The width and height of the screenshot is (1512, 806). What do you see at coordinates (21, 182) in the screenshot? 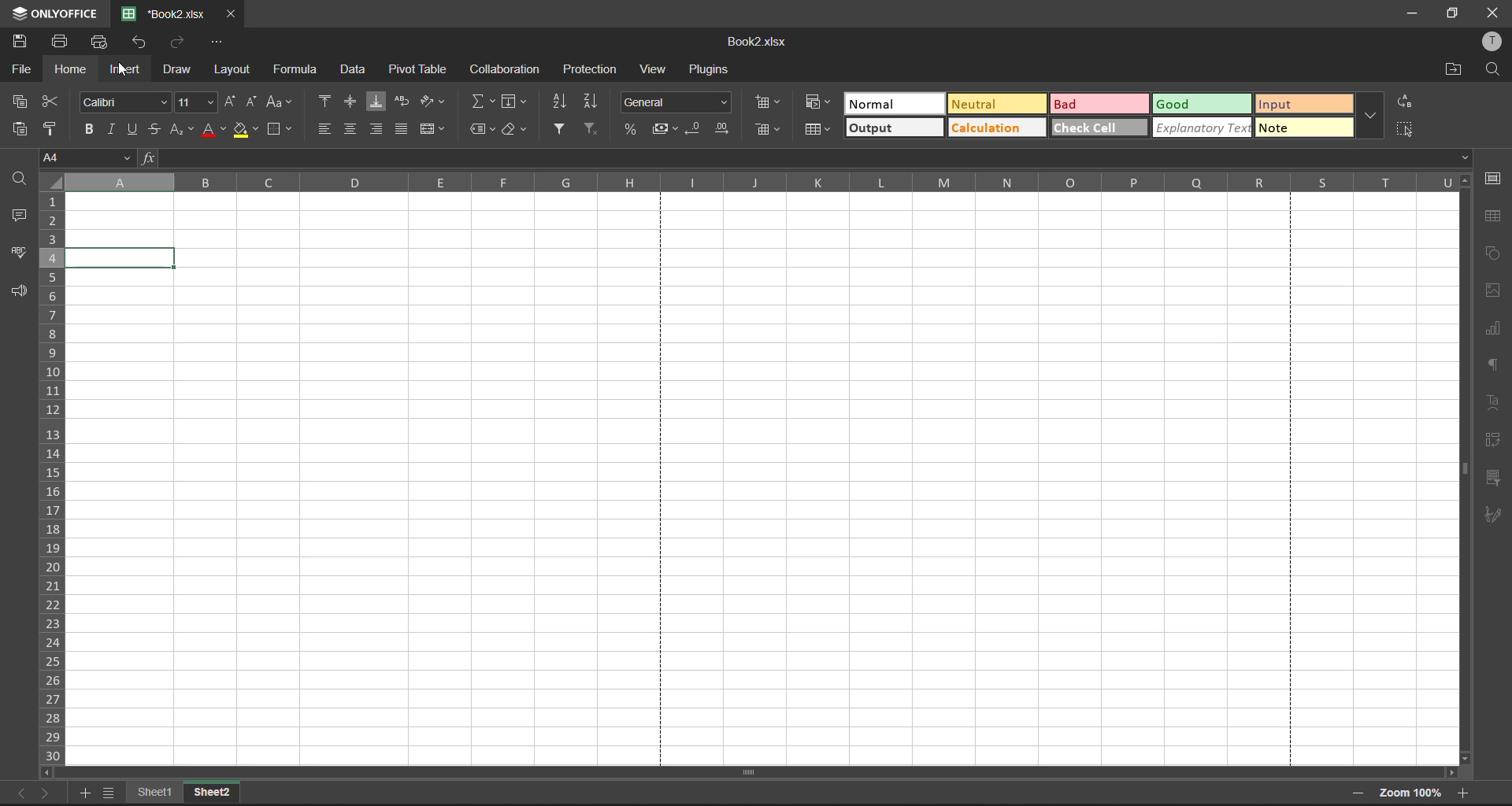
I see `find` at bounding box center [21, 182].